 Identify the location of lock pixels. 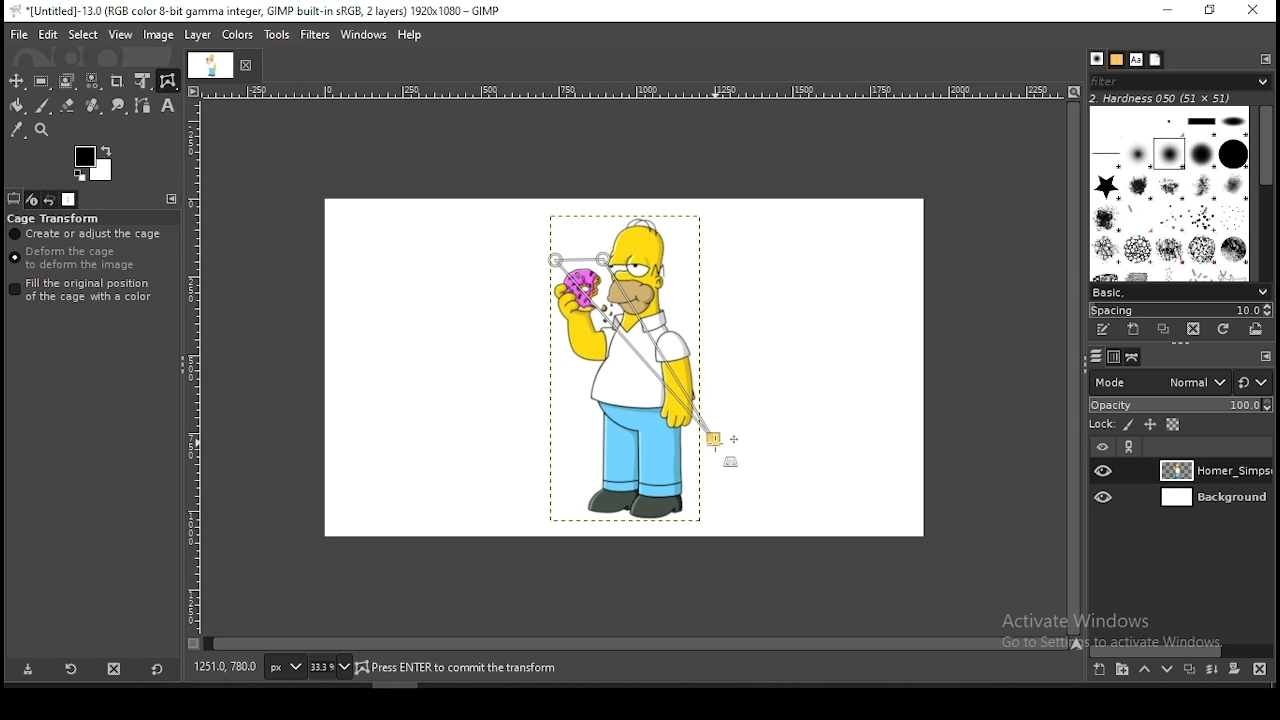
(1127, 426).